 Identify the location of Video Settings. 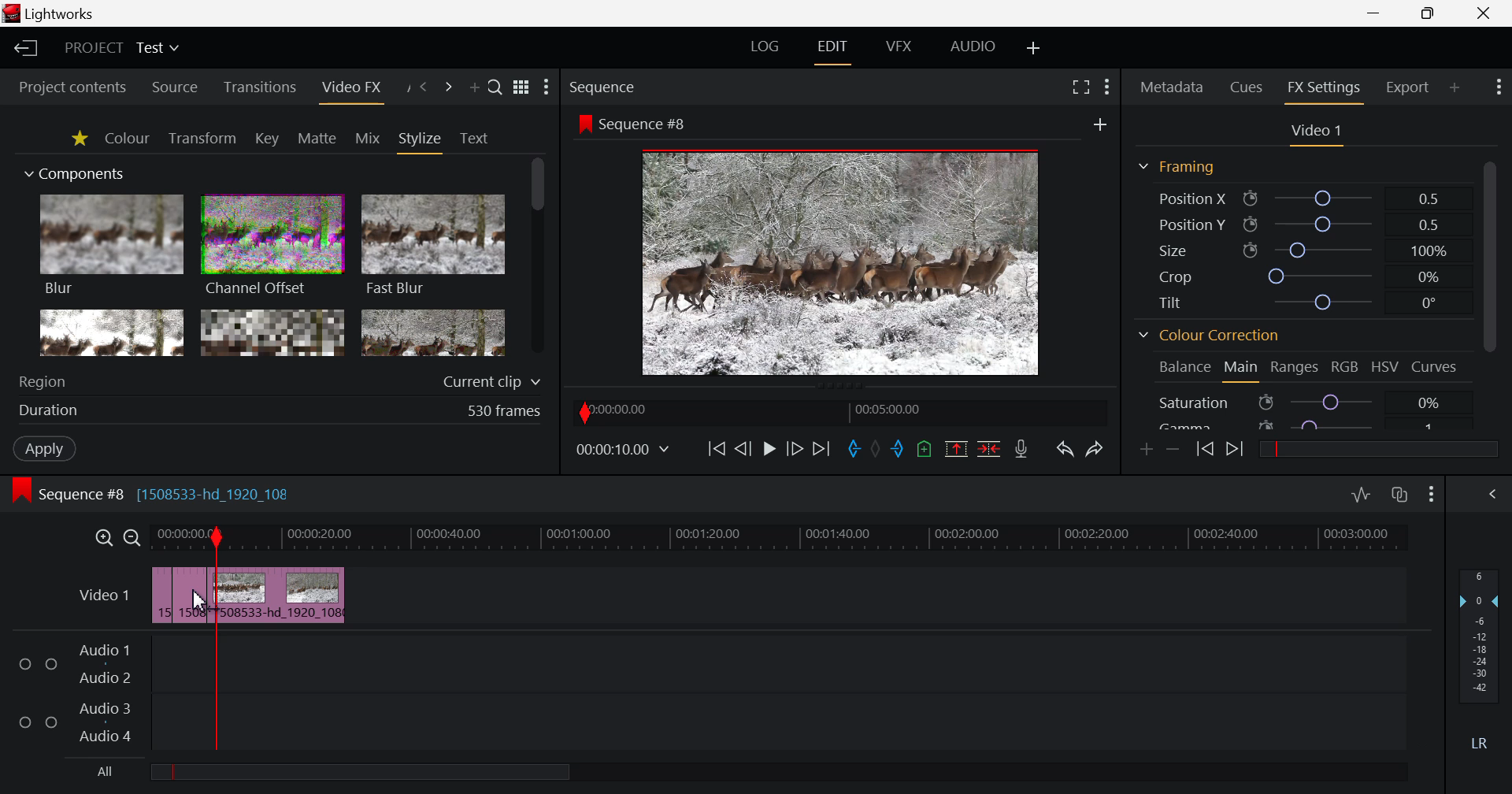
(1314, 133).